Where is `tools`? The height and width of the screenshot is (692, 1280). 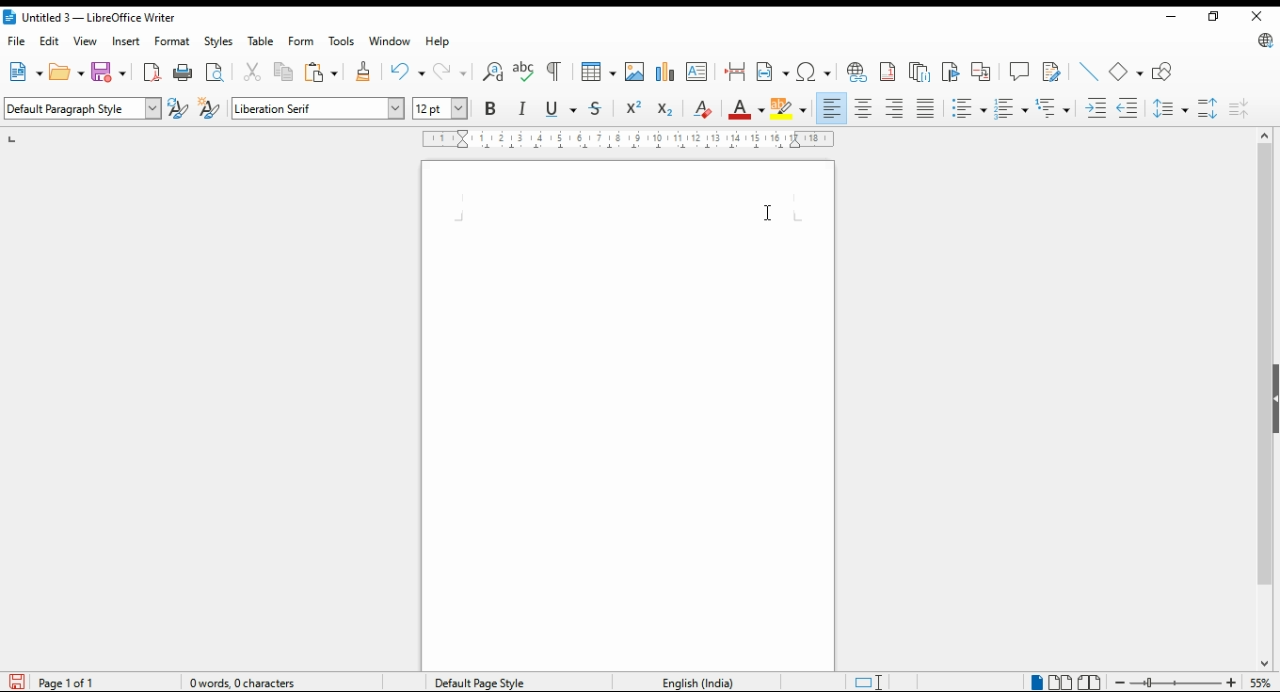
tools is located at coordinates (340, 41).